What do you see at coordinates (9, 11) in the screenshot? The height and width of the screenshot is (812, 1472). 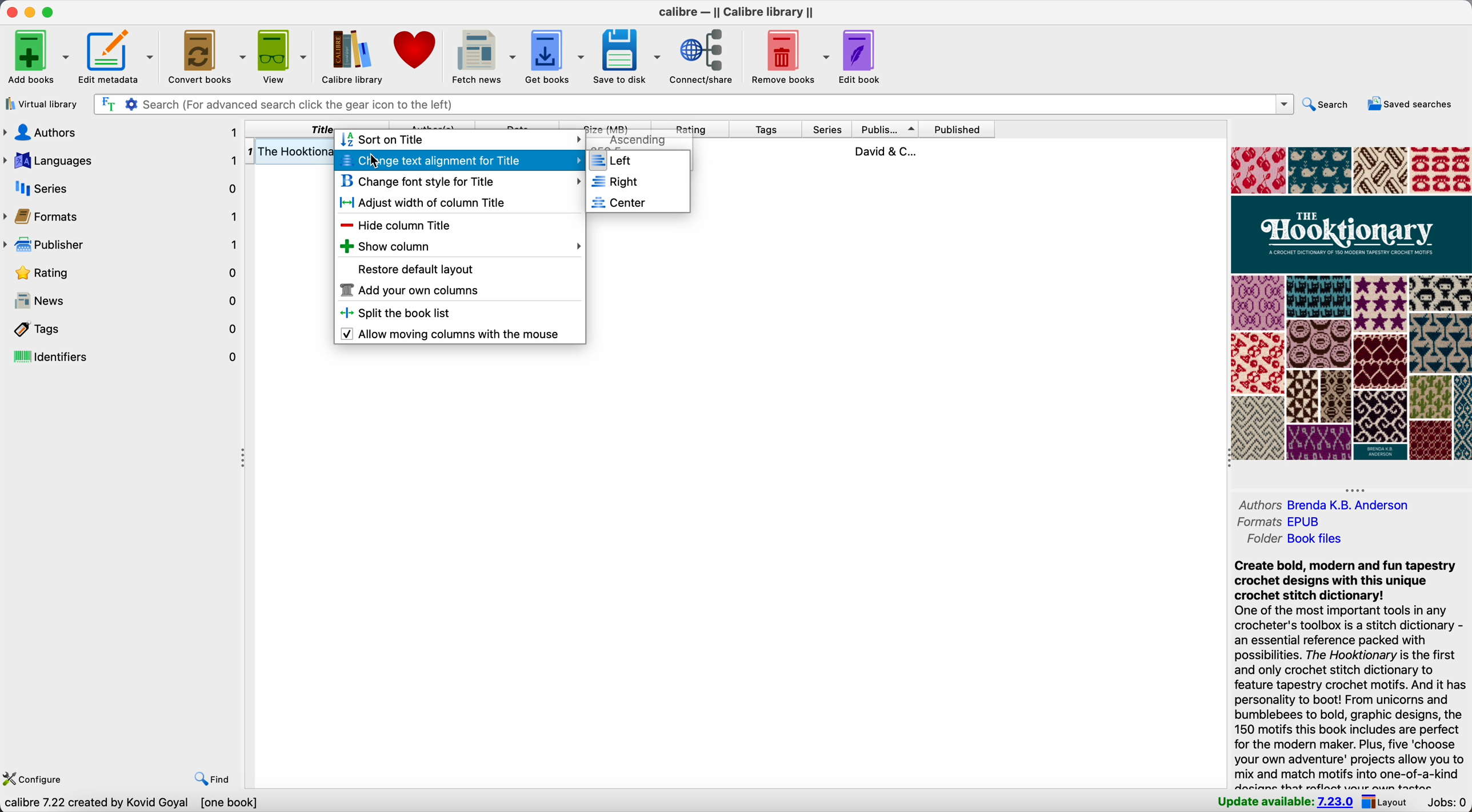 I see `close Calibre` at bounding box center [9, 11].